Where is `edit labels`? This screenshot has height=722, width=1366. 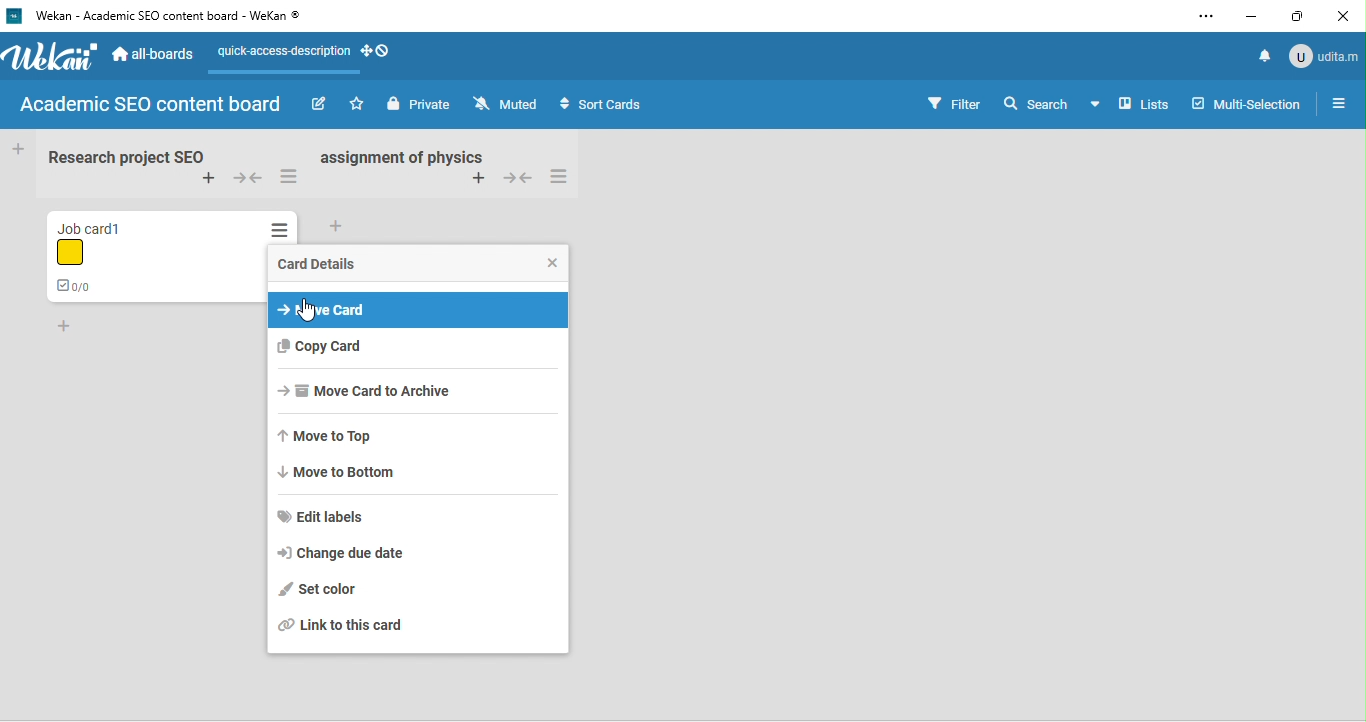
edit labels is located at coordinates (329, 518).